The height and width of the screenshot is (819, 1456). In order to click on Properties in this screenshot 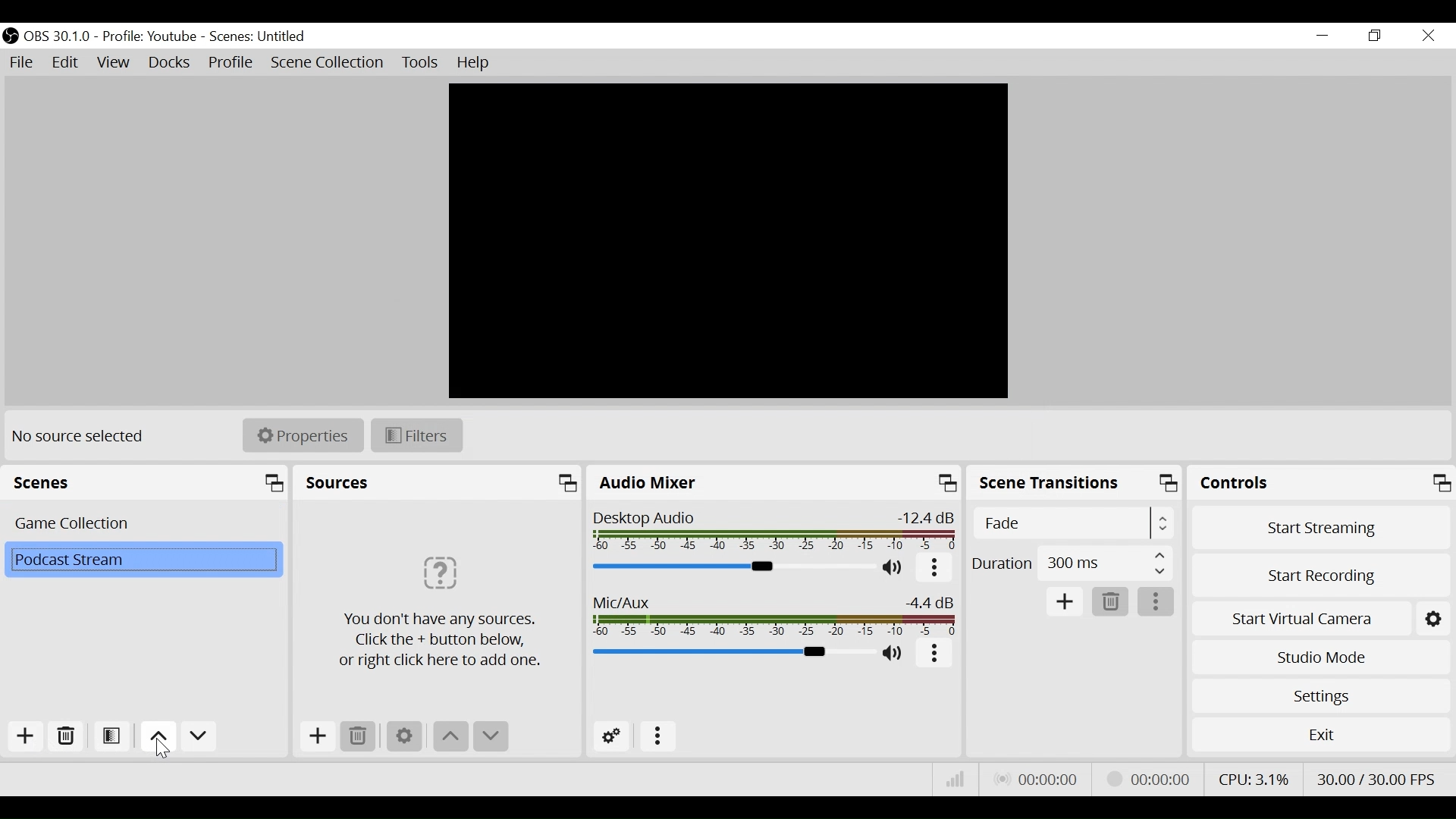, I will do `click(302, 435)`.